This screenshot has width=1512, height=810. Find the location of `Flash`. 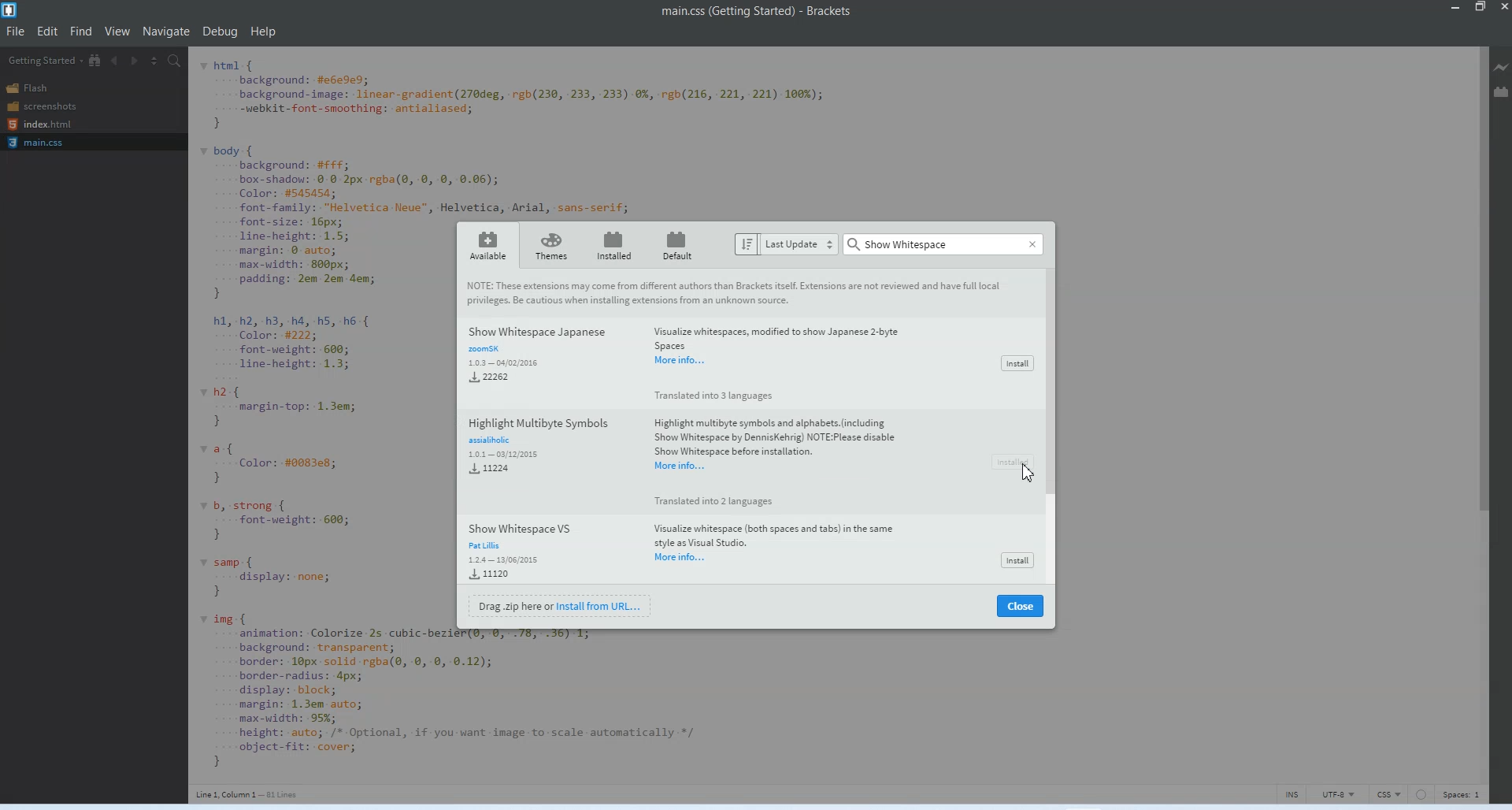

Flash is located at coordinates (34, 87).